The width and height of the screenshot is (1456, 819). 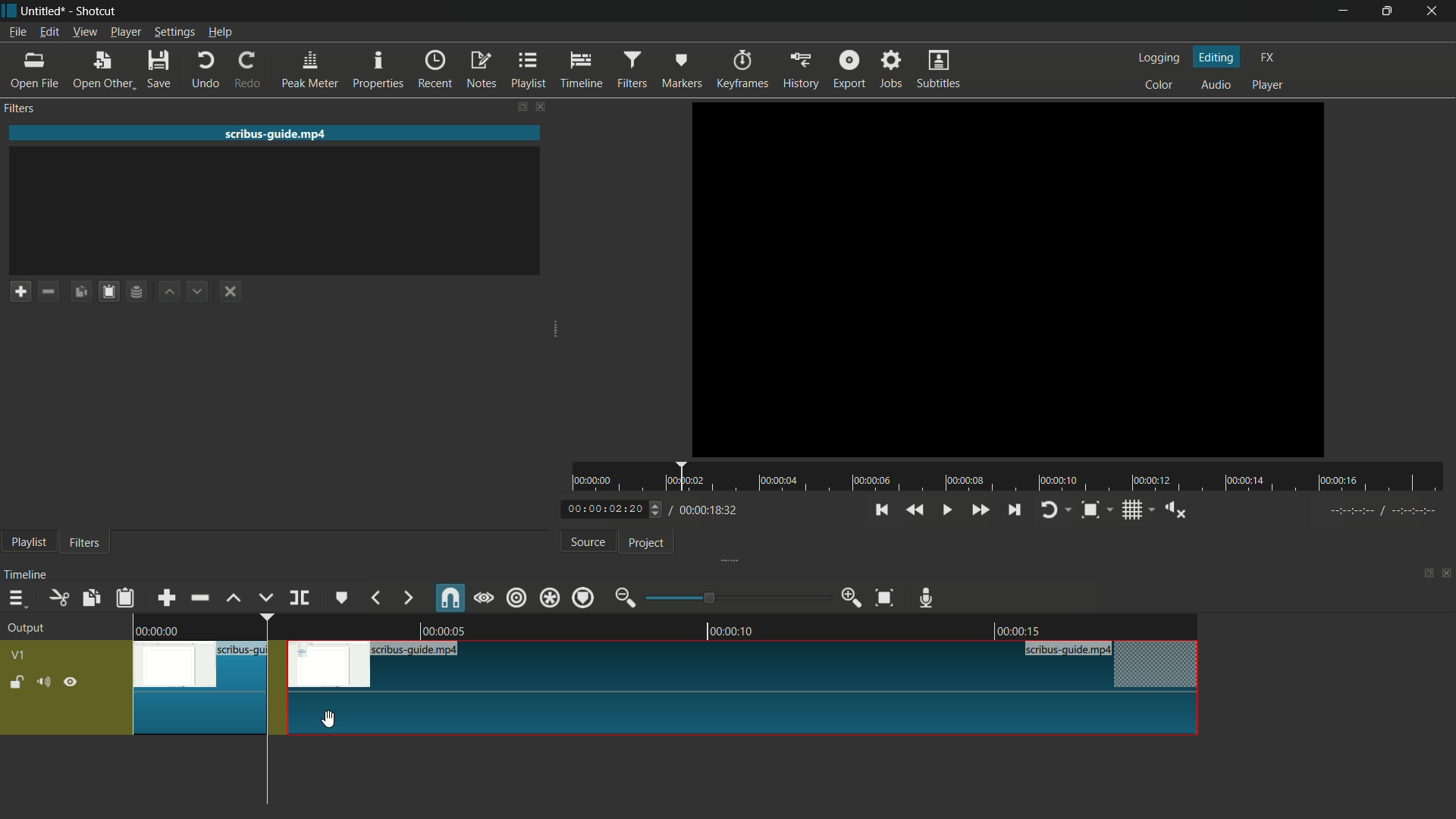 I want to click on video in timeline, so click(x=657, y=689).